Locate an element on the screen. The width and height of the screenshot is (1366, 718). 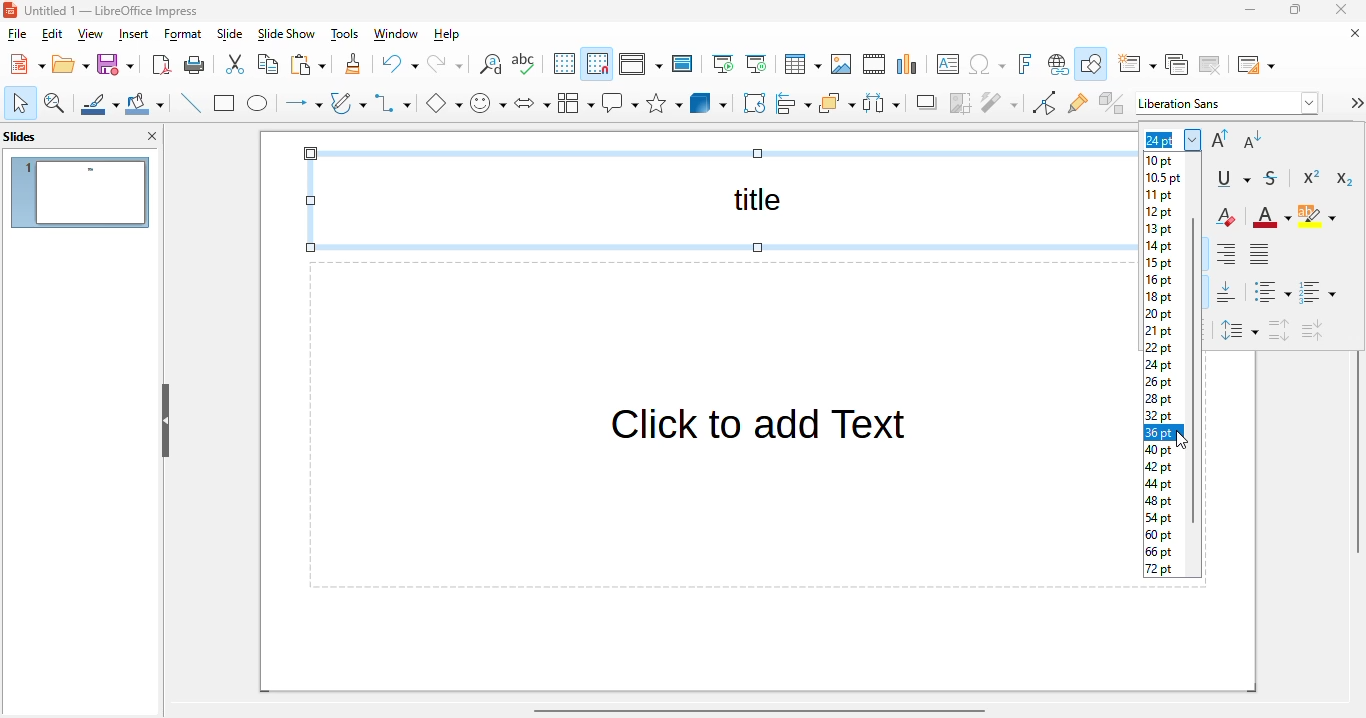
check spelling is located at coordinates (523, 63).